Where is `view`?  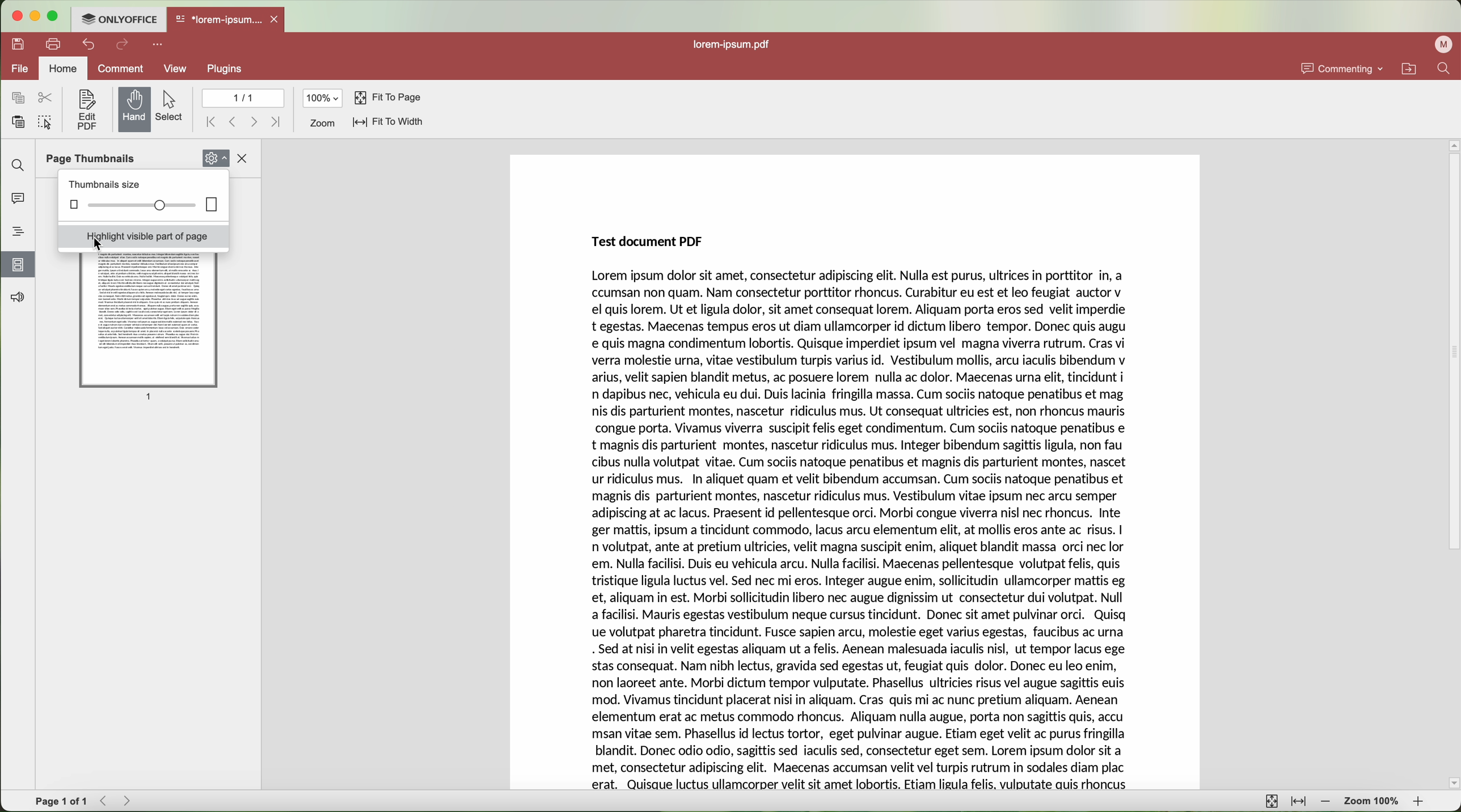
view is located at coordinates (176, 68).